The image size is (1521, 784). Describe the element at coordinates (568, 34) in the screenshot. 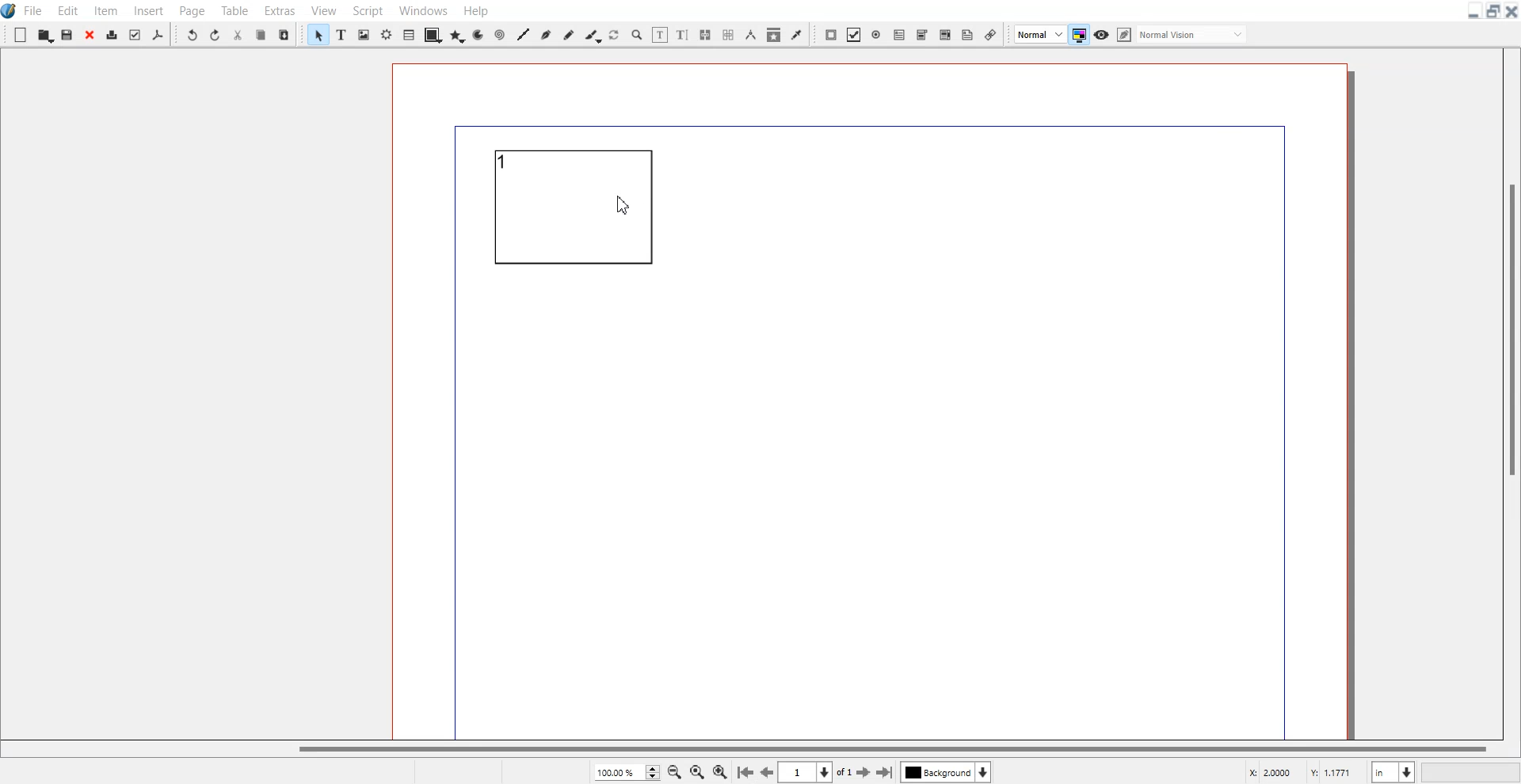

I see `Freehand line` at that location.